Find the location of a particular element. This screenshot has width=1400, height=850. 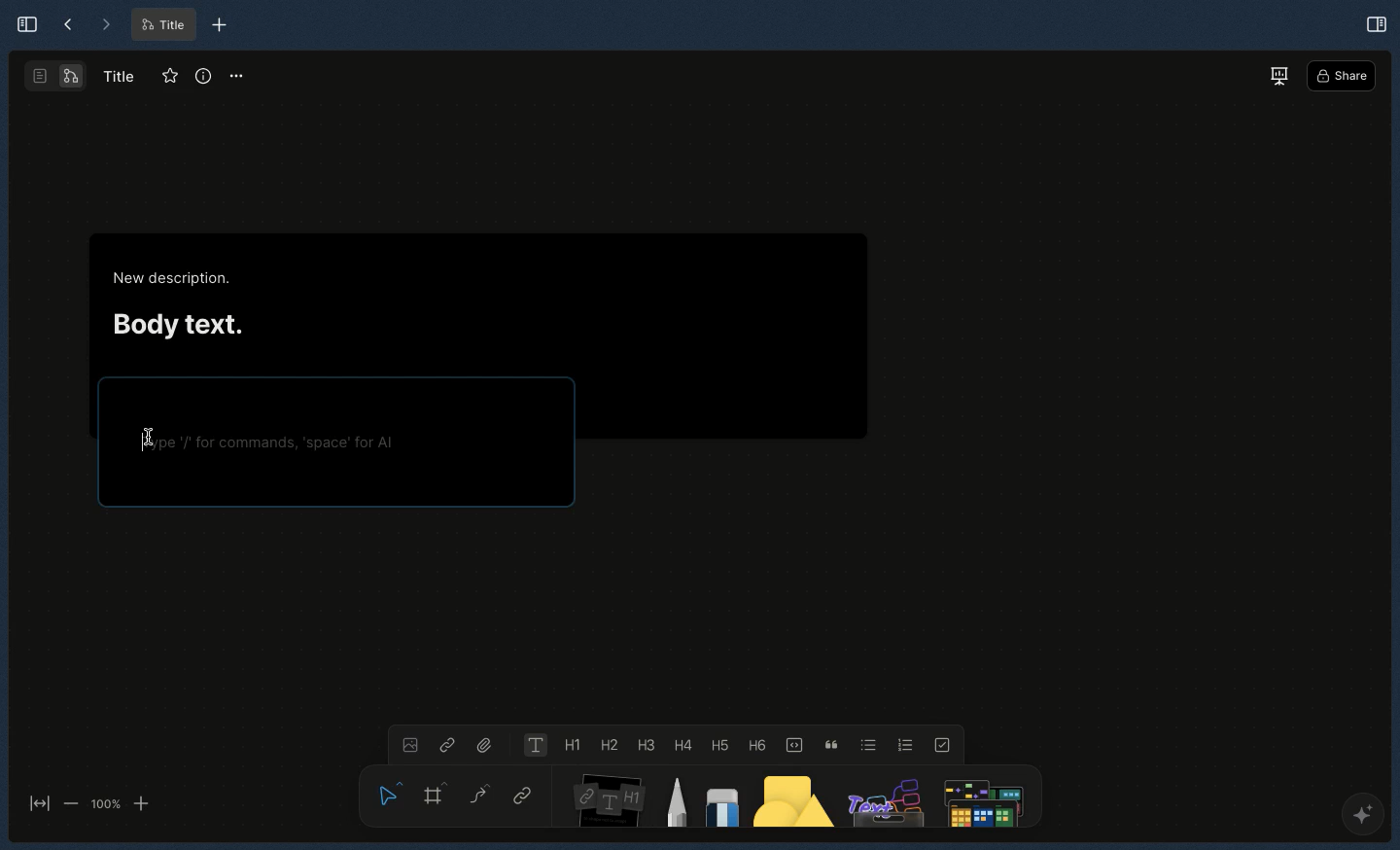

Heading 1 is located at coordinates (570, 746).